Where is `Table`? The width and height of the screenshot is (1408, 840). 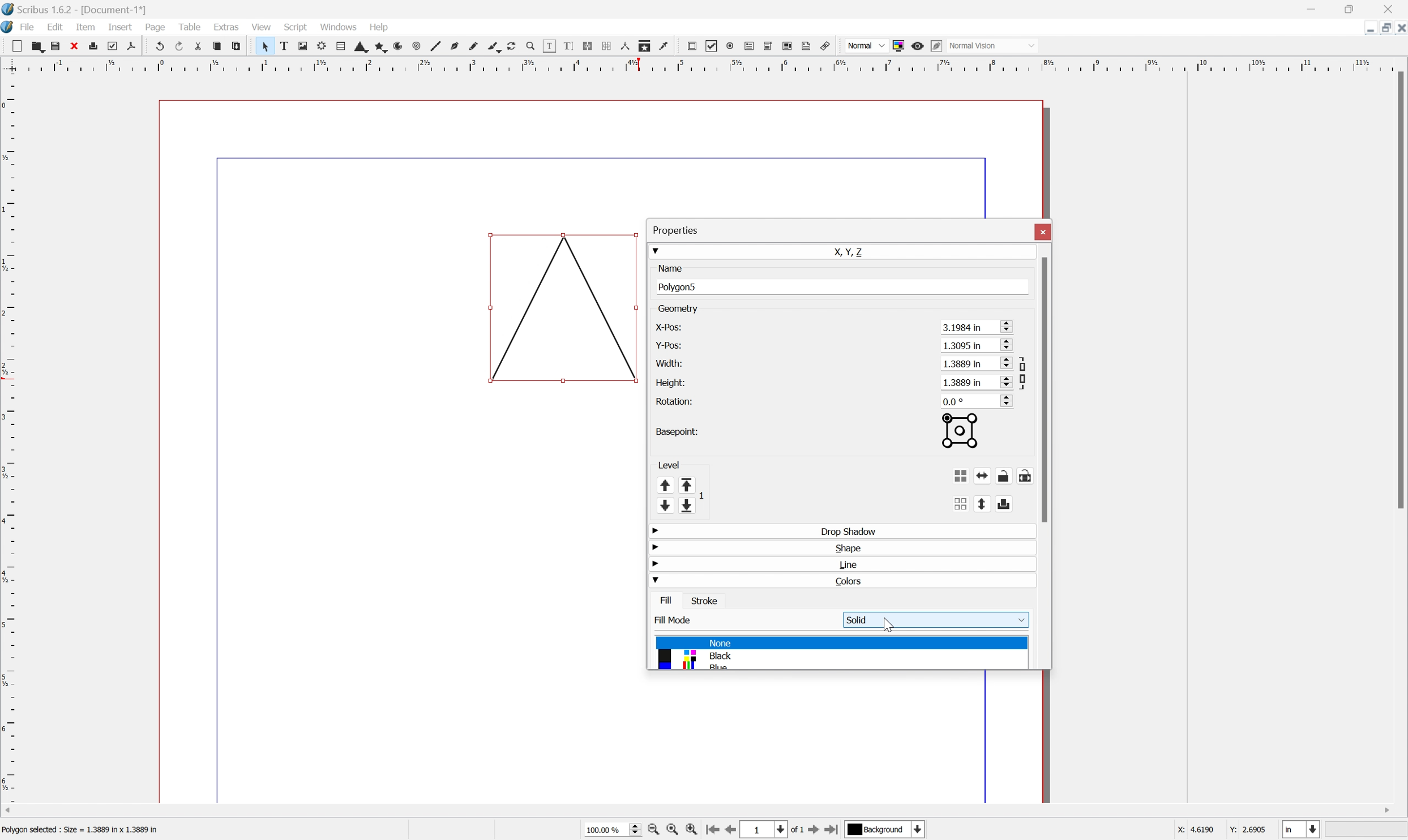 Table is located at coordinates (190, 27).